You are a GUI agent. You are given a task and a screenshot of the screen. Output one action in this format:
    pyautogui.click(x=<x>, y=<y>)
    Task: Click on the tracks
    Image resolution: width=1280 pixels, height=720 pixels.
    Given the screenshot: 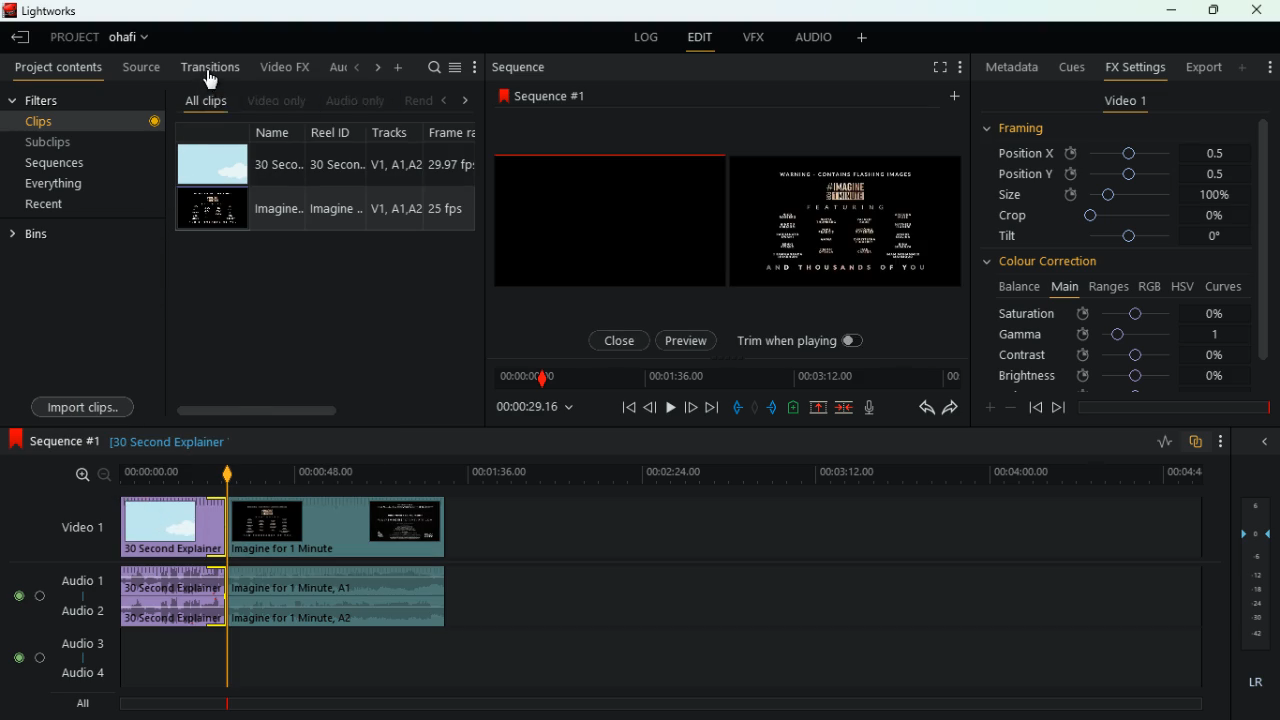 What is the action you would take?
    pyautogui.click(x=396, y=176)
    